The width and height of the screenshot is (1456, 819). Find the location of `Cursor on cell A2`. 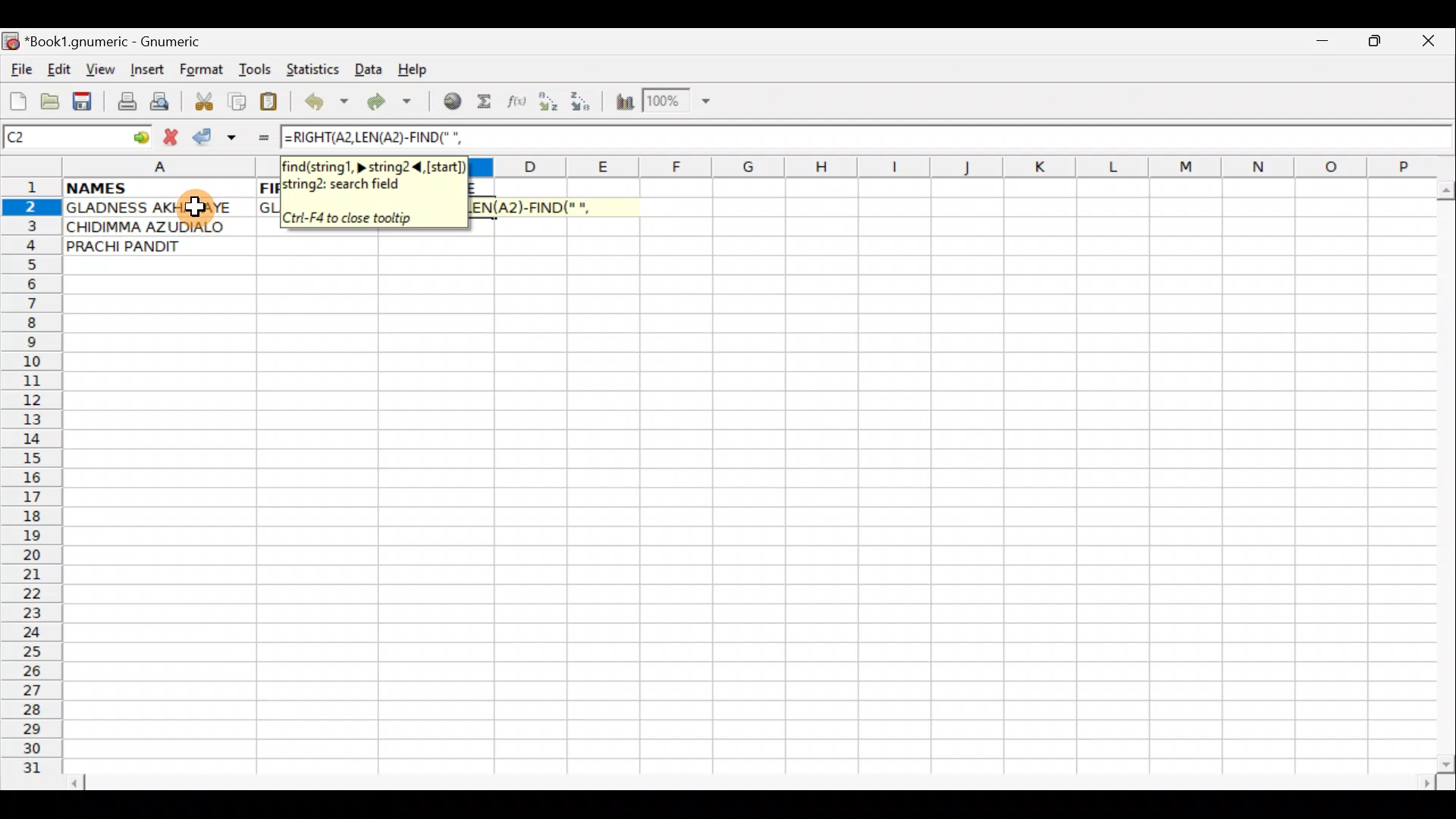

Cursor on cell A2 is located at coordinates (193, 206).